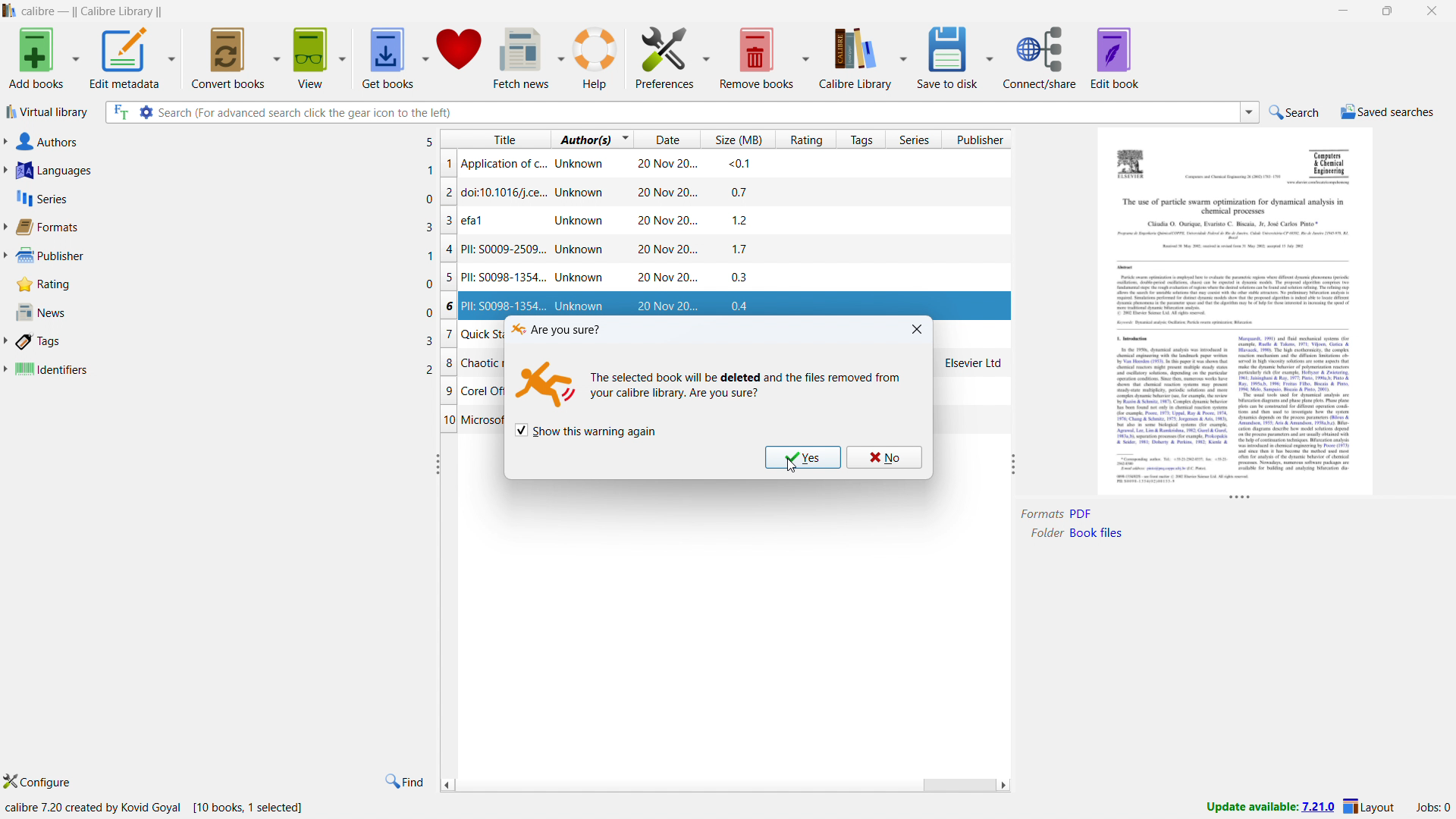 This screenshot has height=819, width=1456. I want to click on Show this warning again, so click(585, 429).